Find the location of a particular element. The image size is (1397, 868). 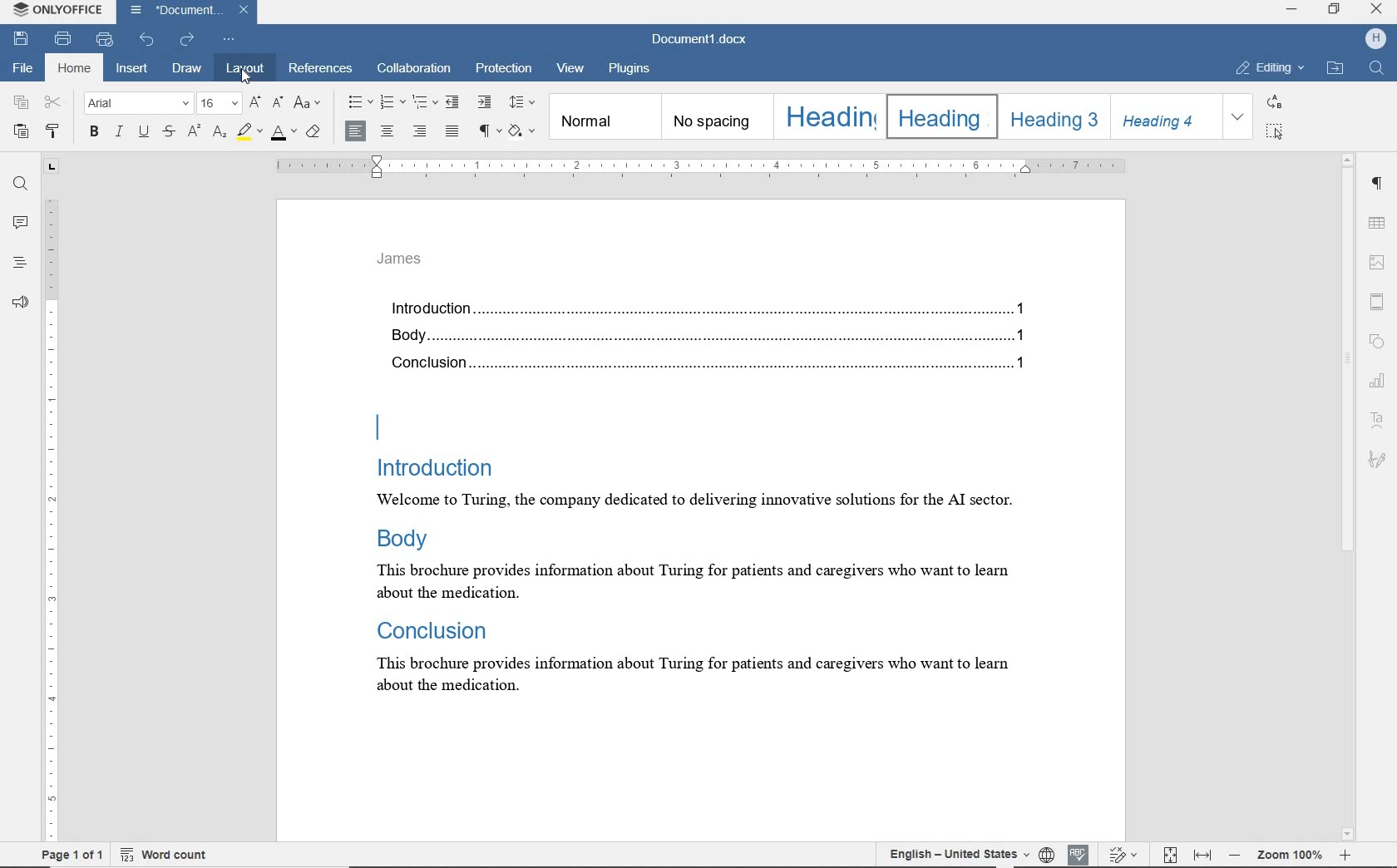

decrease indent is located at coordinates (455, 101).